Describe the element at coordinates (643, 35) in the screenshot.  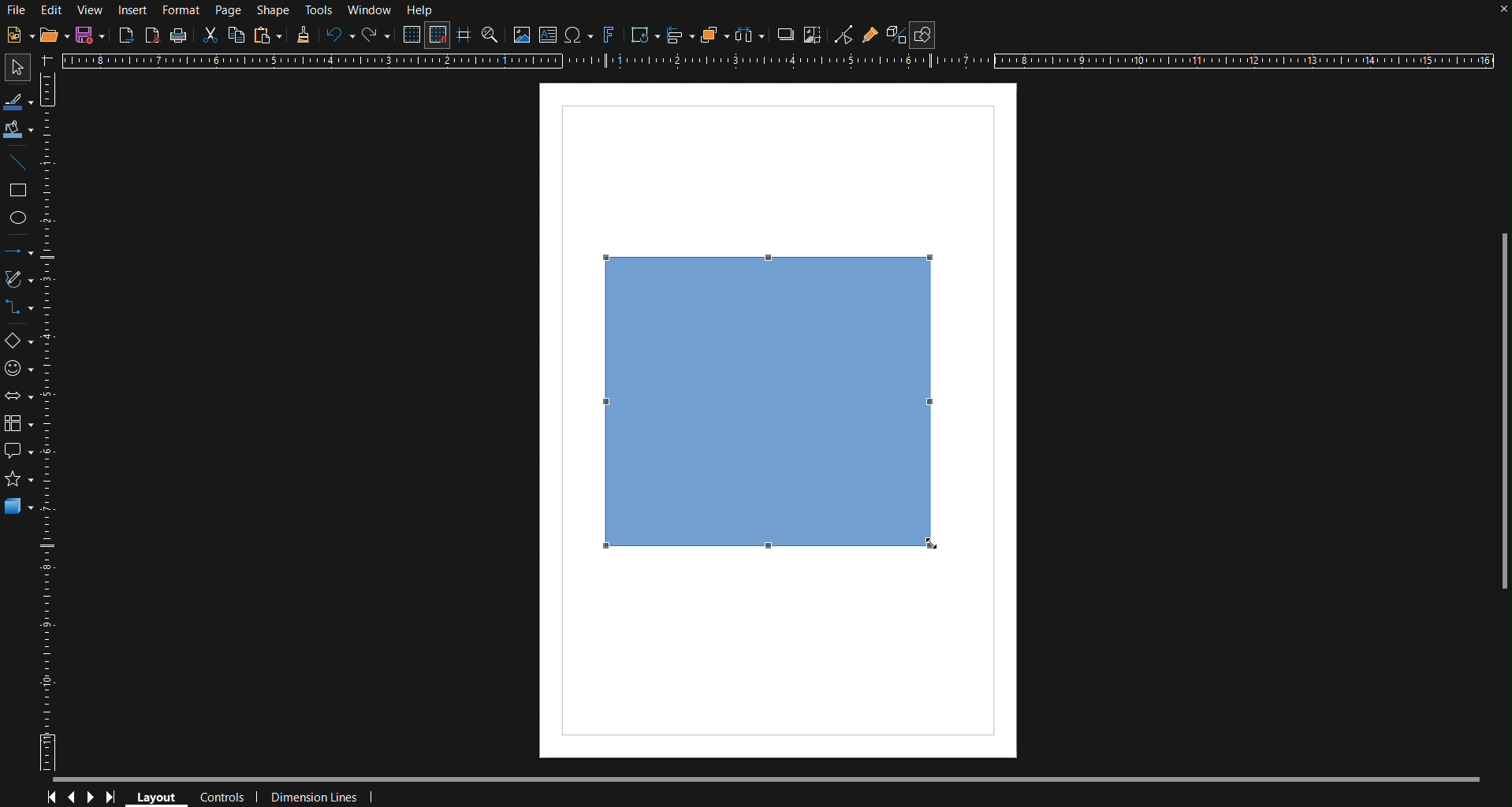
I see `Transformations` at that location.